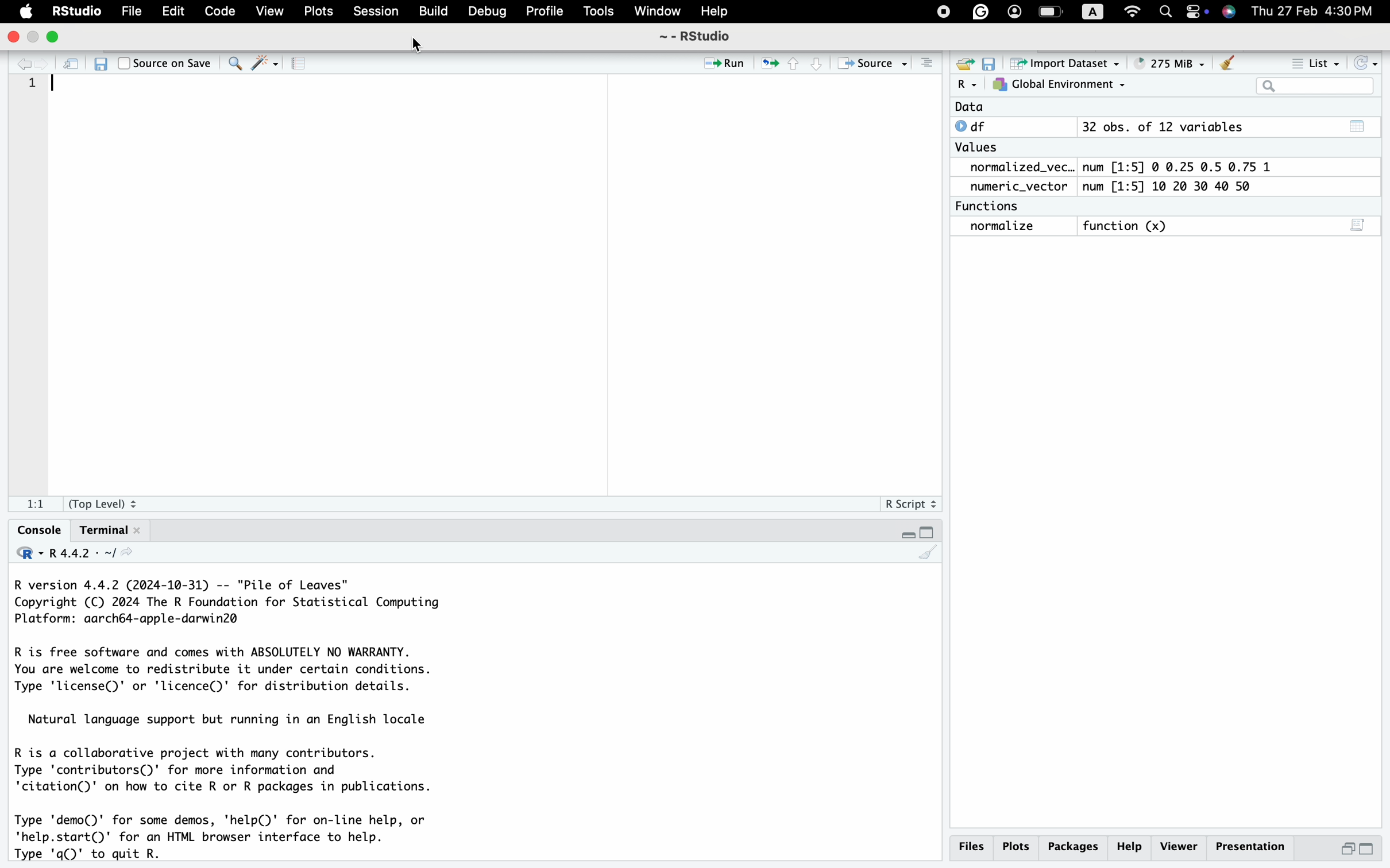 Image resolution: width=1390 pixels, height=868 pixels. What do you see at coordinates (1051, 12) in the screenshot?
I see `battery` at bounding box center [1051, 12].